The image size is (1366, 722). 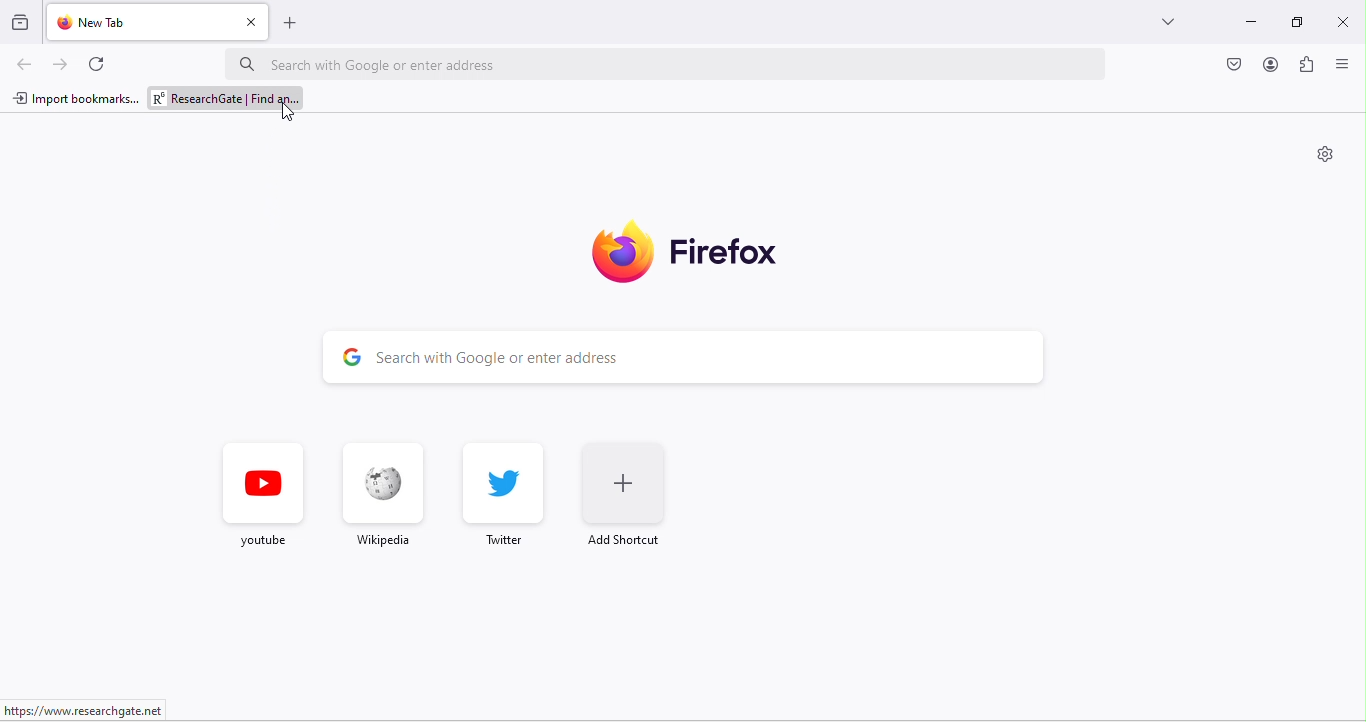 I want to click on visit chrome, so click(x=1236, y=66).